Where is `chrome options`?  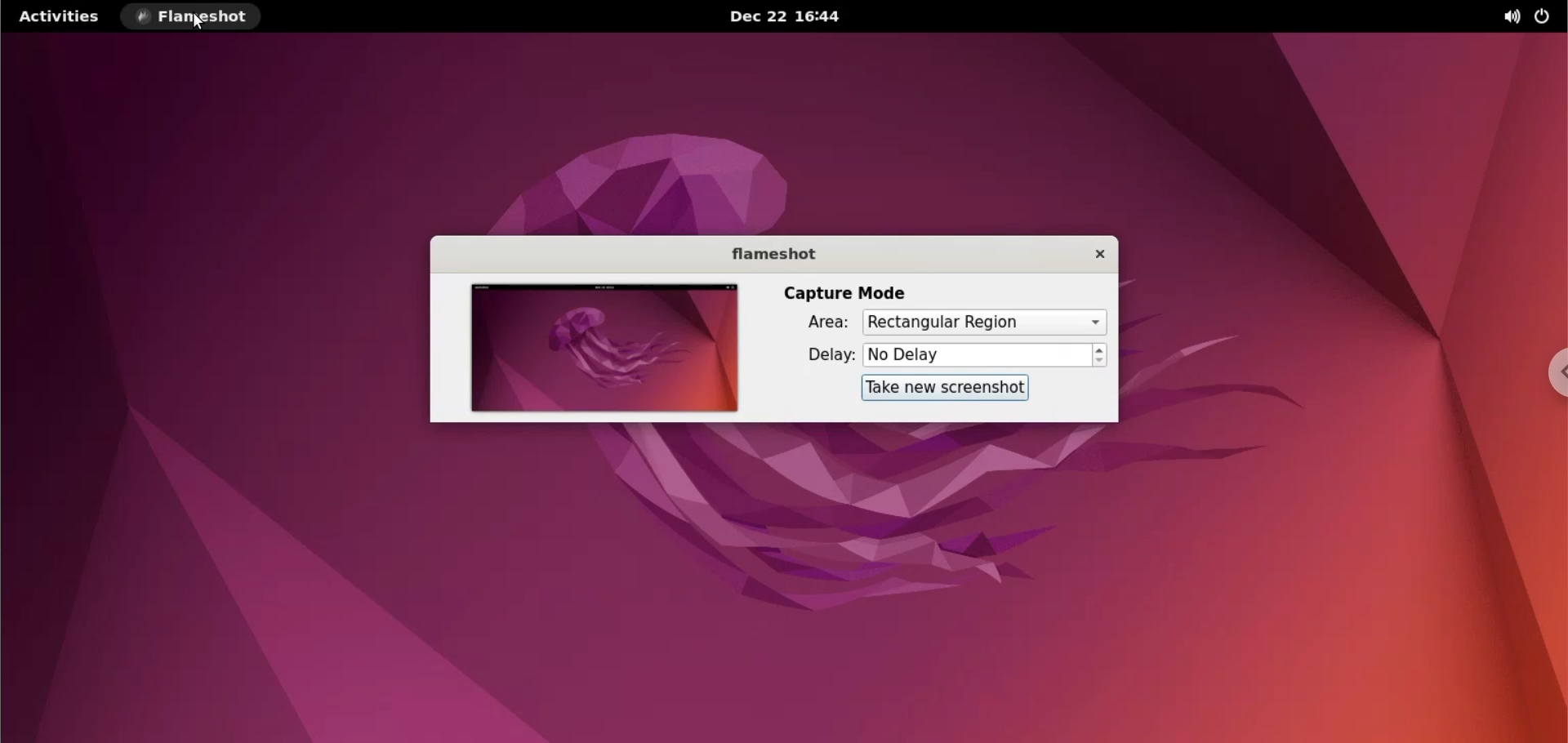
chrome options is located at coordinates (1548, 372).